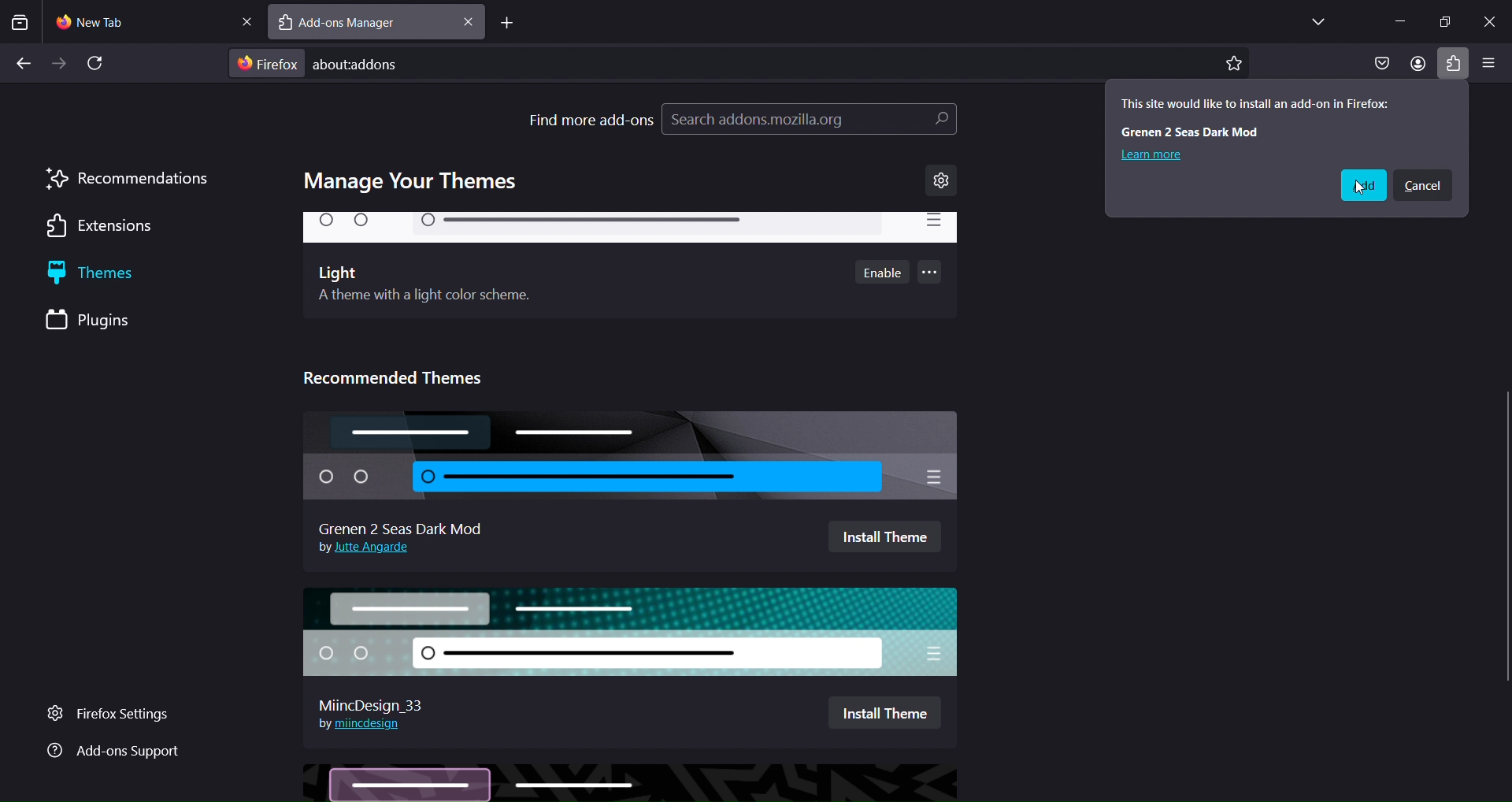 Image resolution: width=1512 pixels, height=802 pixels. What do you see at coordinates (100, 64) in the screenshot?
I see `reload page` at bounding box center [100, 64].